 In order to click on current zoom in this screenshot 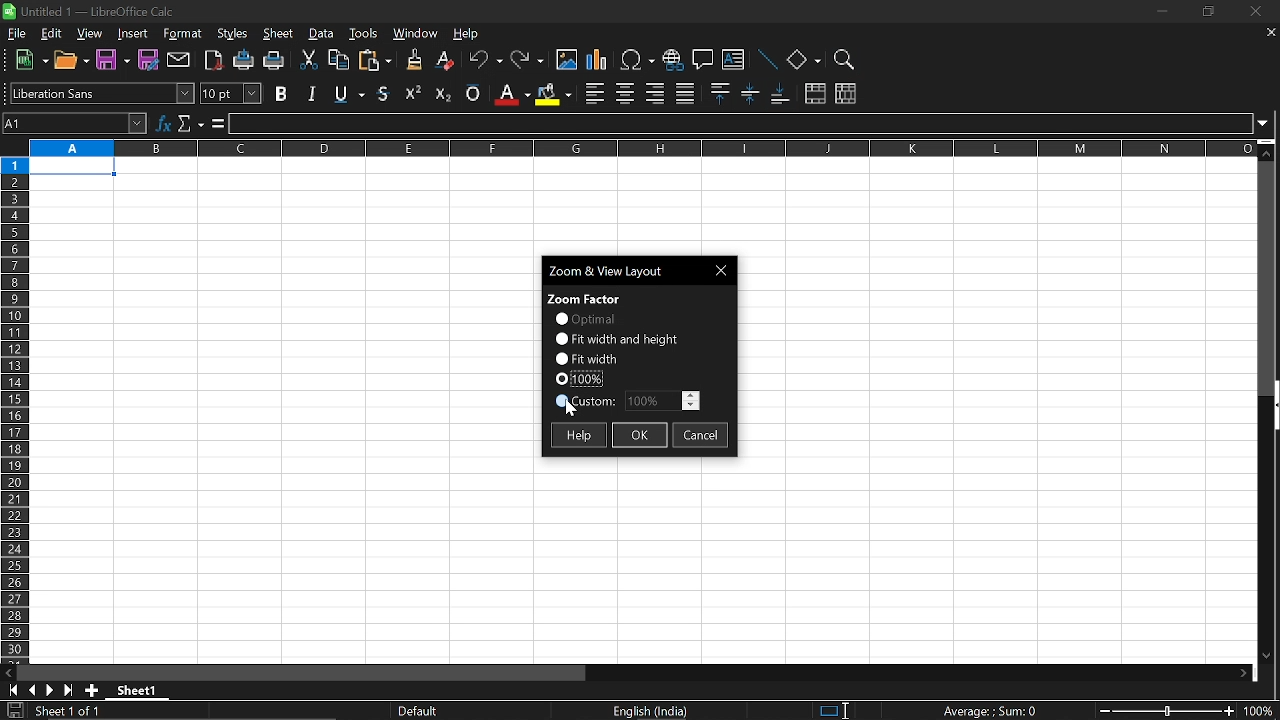, I will do `click(578, 377)`.